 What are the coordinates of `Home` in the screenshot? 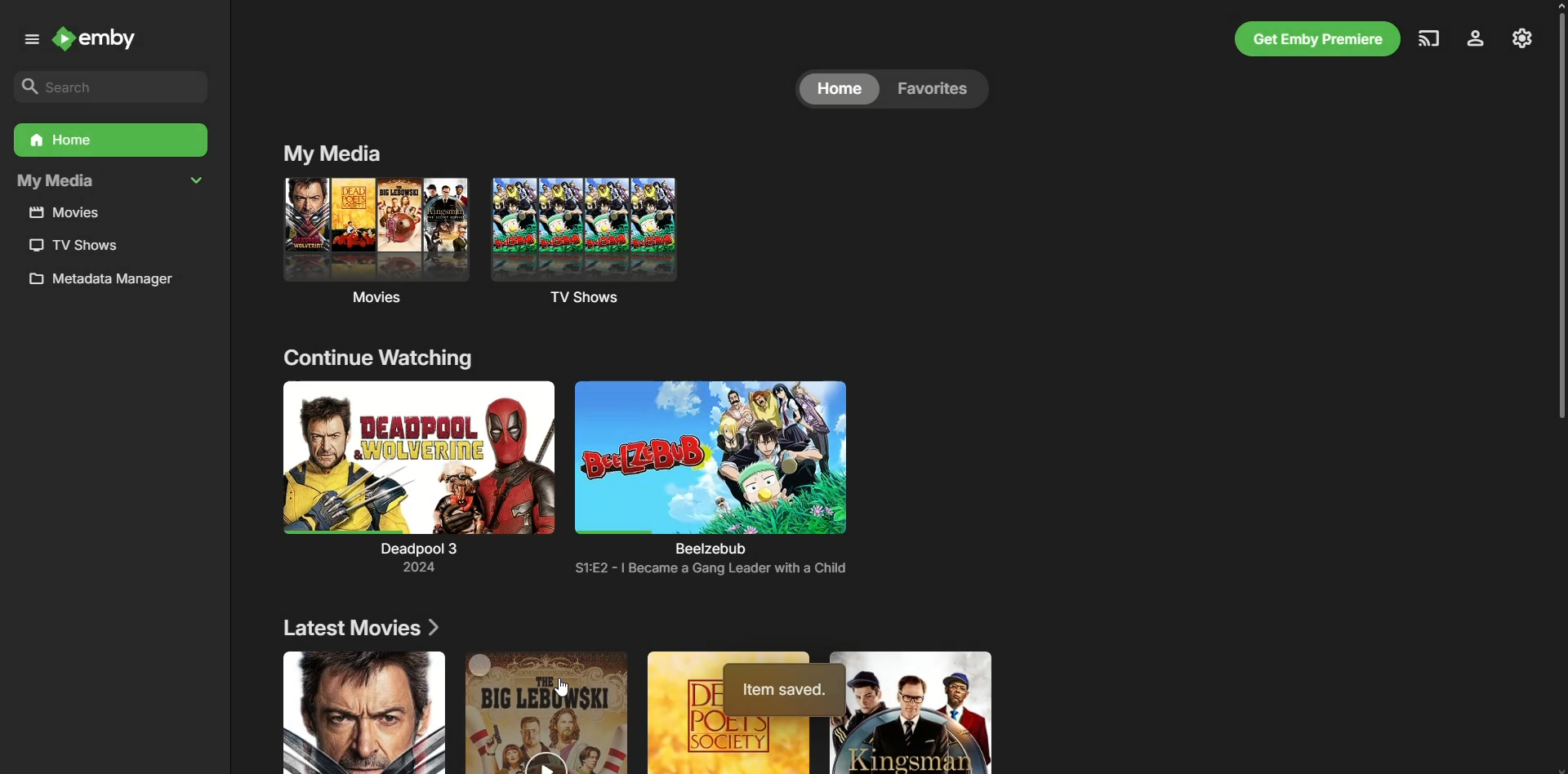 It's located at (839, 89).